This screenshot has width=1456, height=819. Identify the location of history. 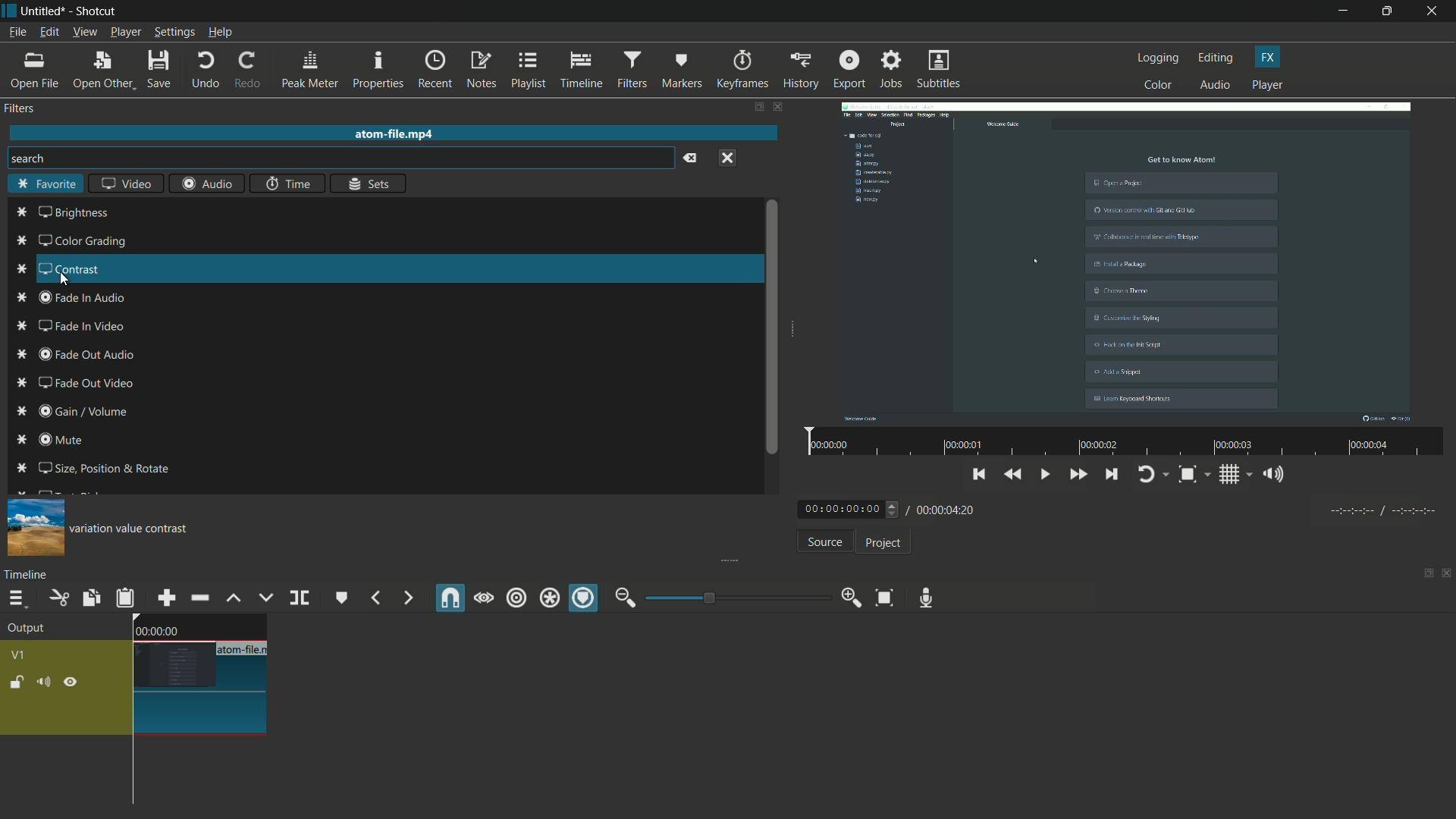
(799, 70).